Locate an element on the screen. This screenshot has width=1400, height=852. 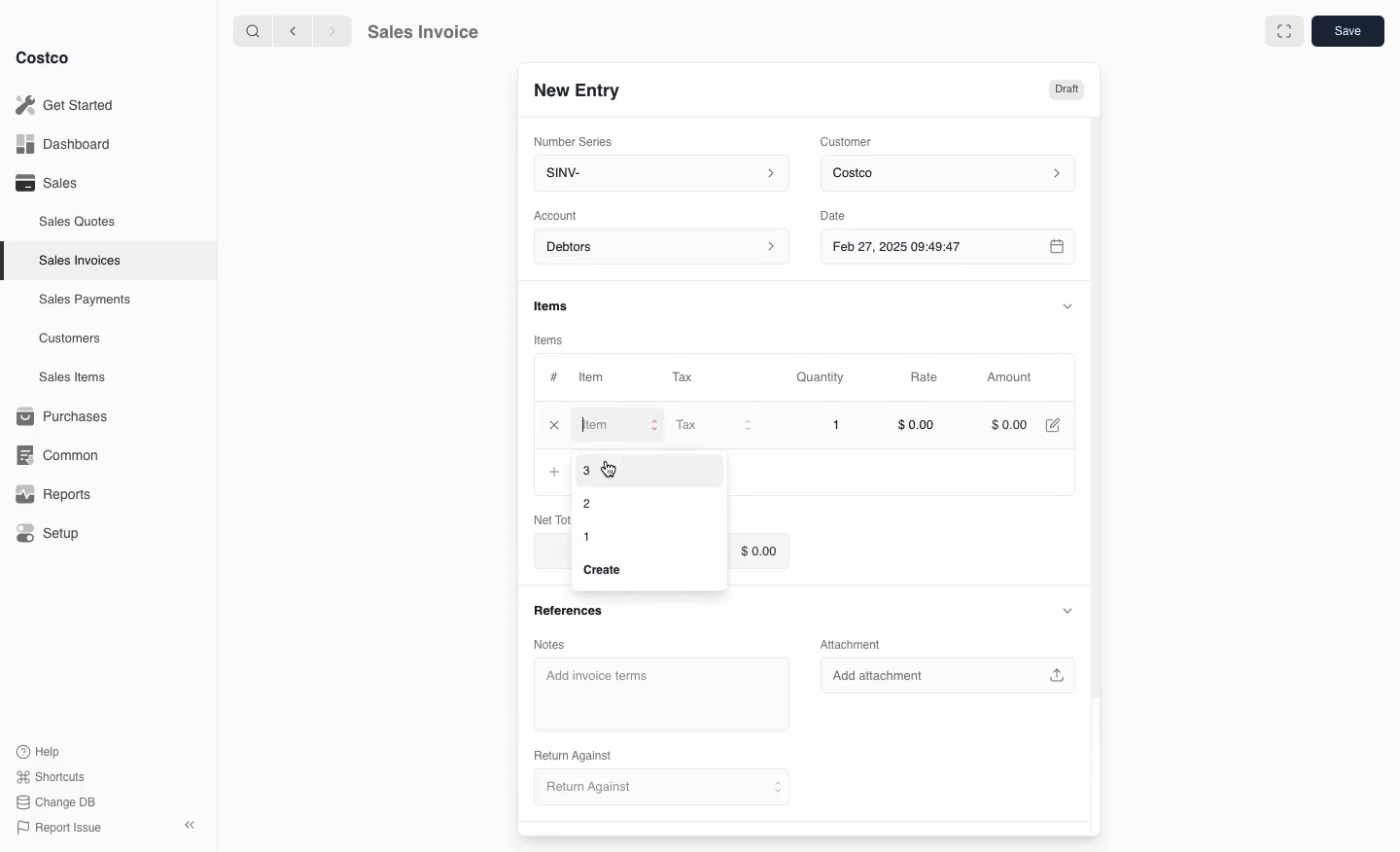
Return Against is located at coordinates (647, 787).